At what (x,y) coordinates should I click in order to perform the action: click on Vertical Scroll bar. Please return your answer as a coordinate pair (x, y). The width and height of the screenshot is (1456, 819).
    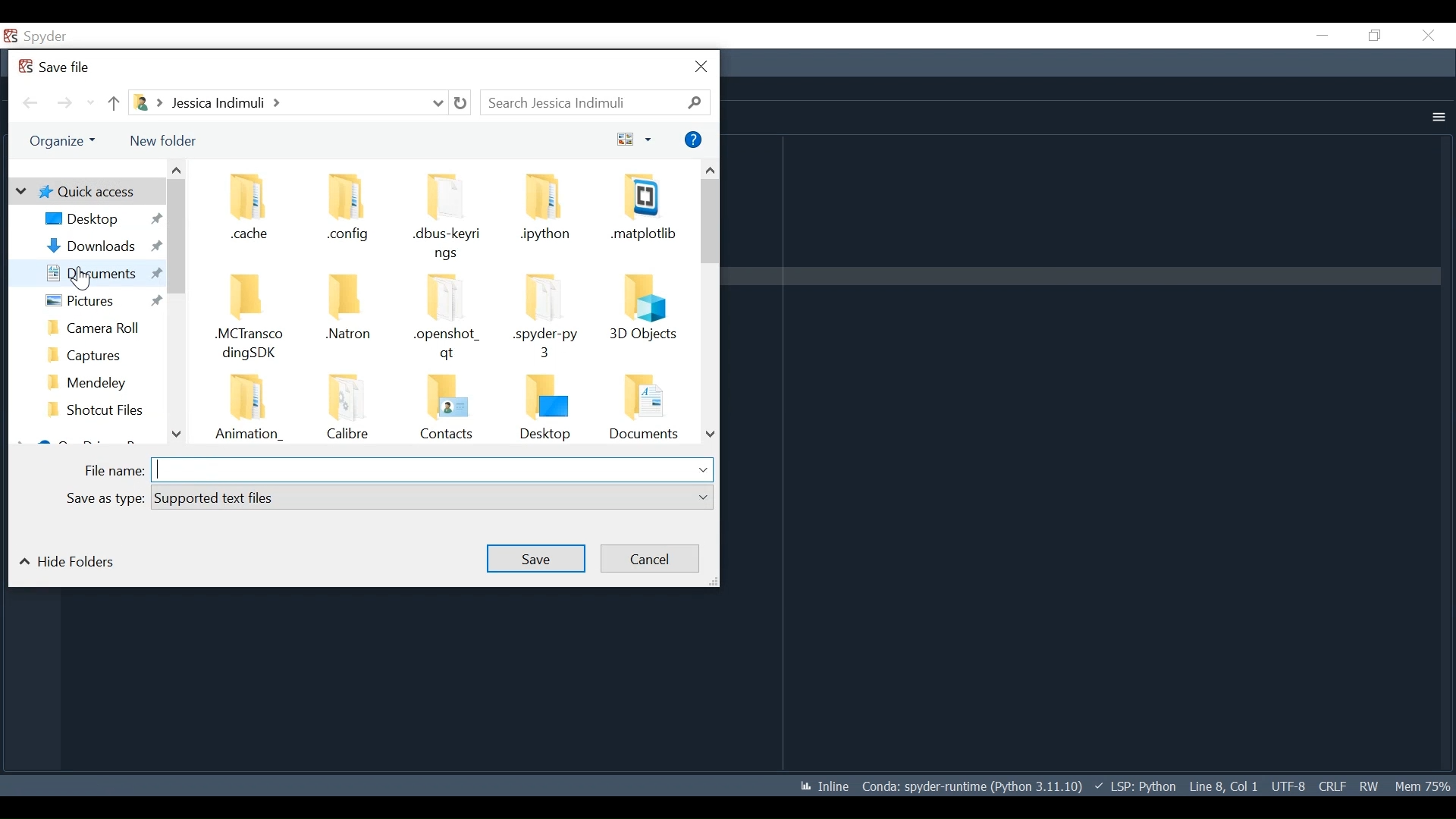
    Looking at the image, I should click on (176, 237).